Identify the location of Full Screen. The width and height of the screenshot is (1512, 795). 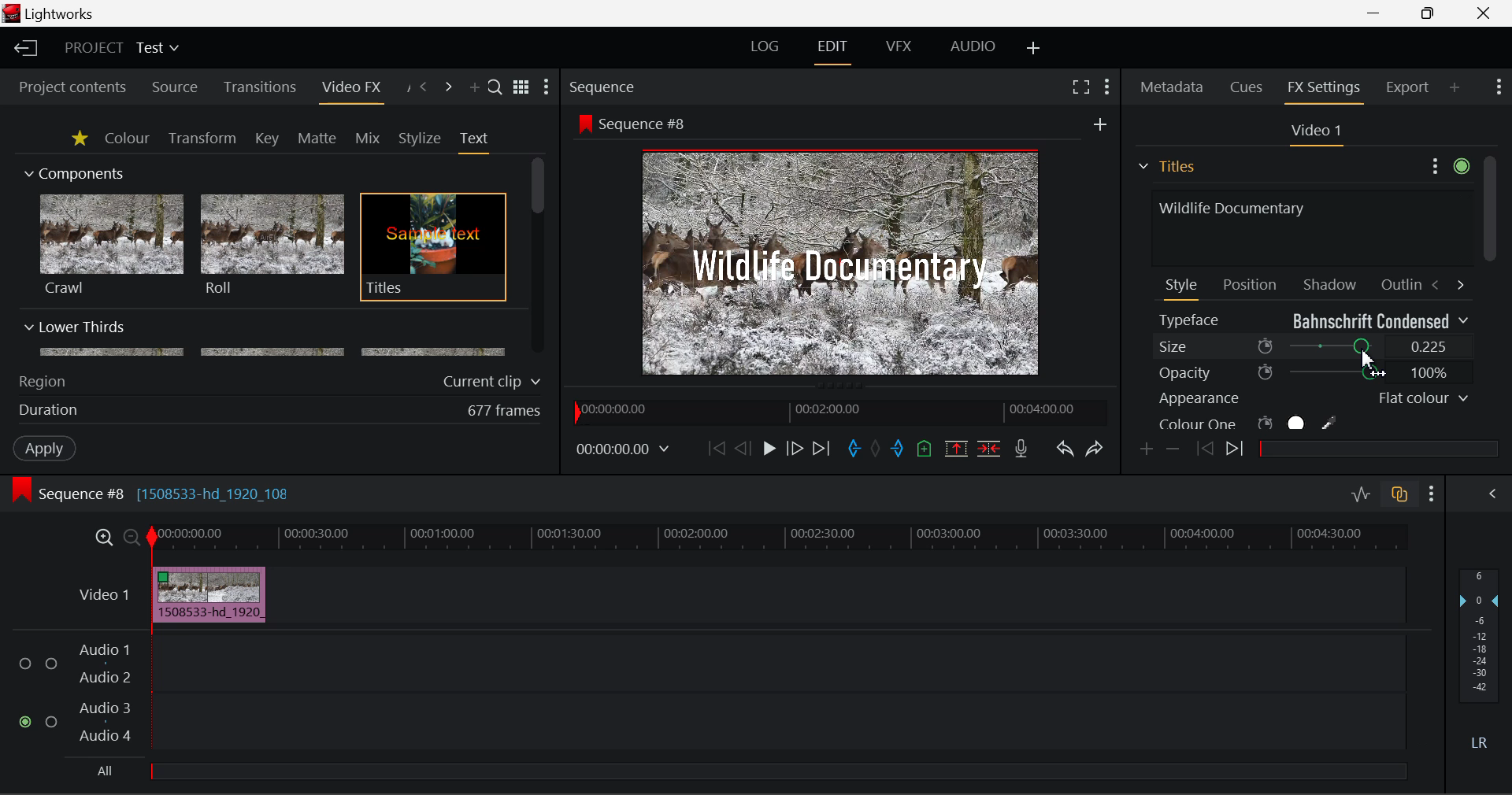
(1081, 86).